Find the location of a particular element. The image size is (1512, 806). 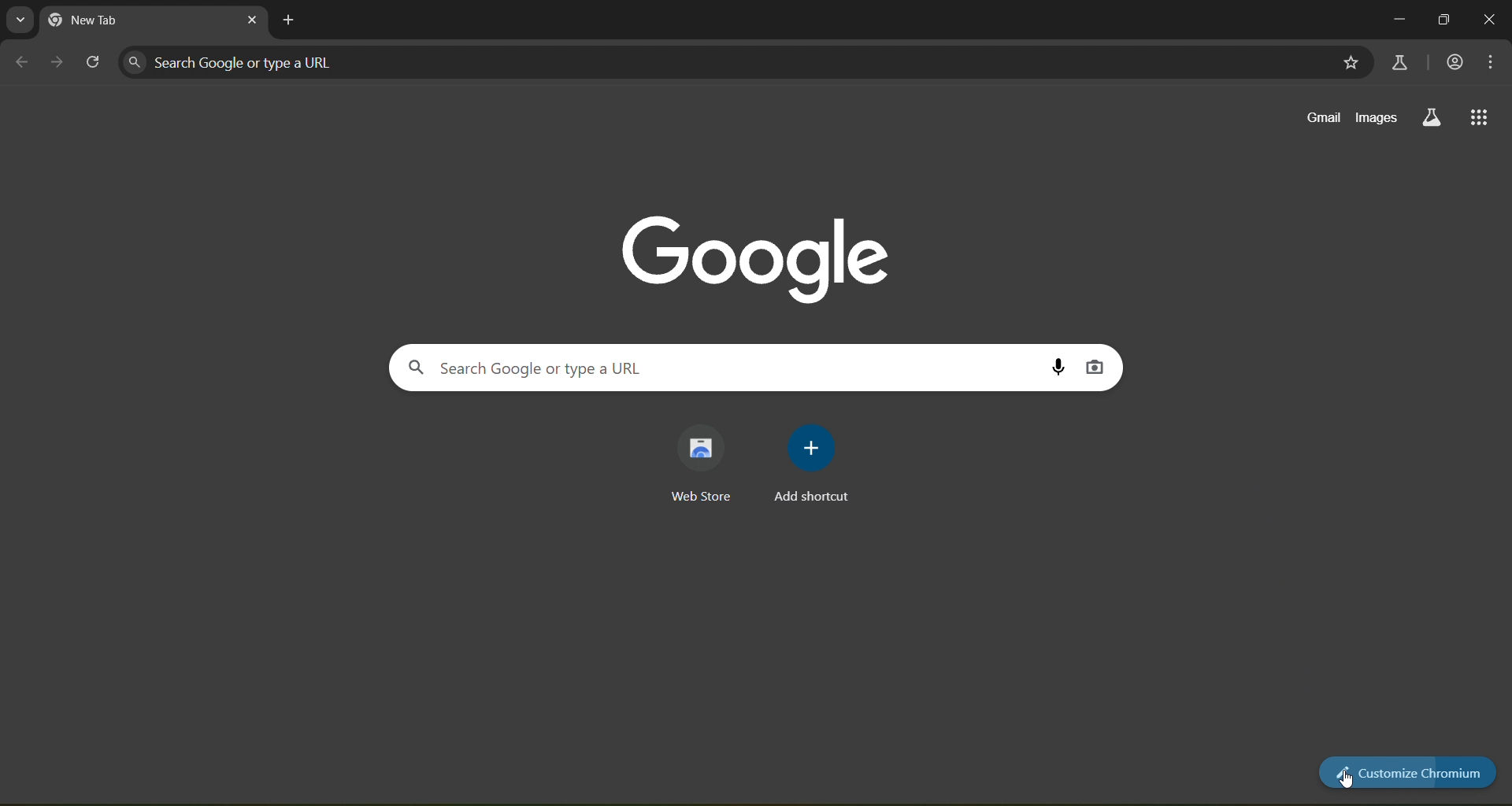

go forward one page is located at coordinates (60, 63).